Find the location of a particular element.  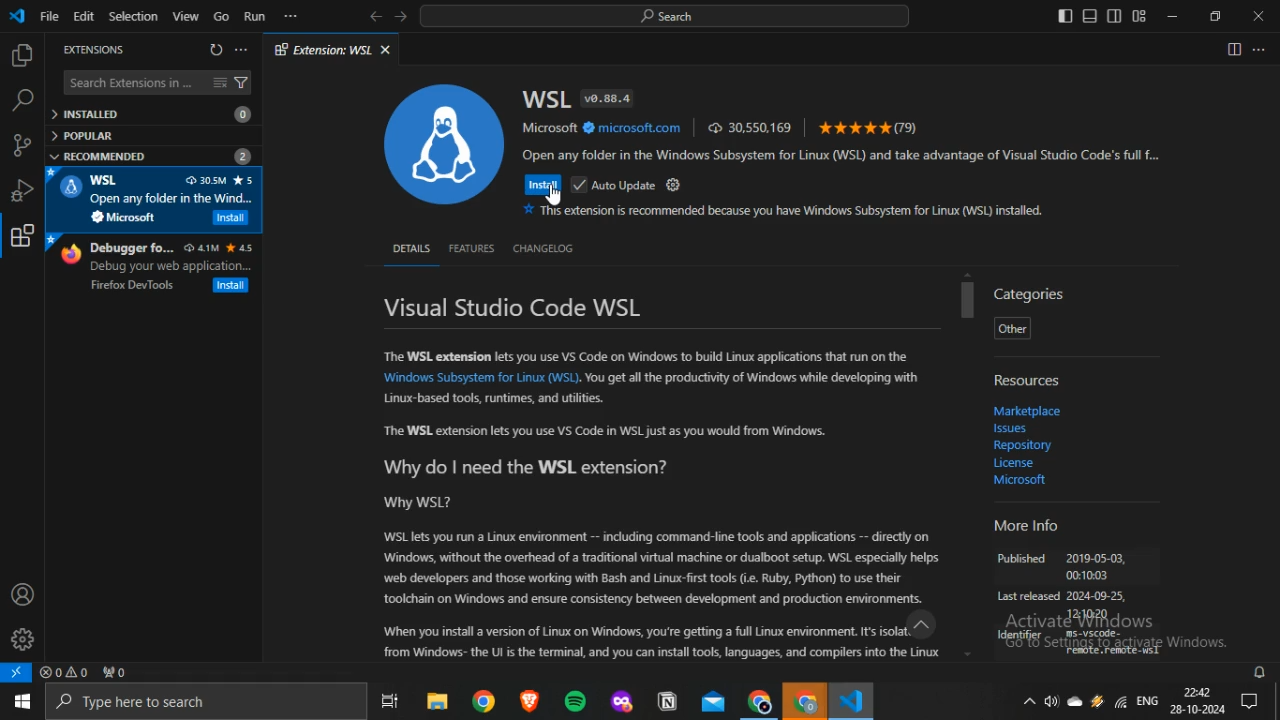

Last released is located at coordinates (1027, 595).